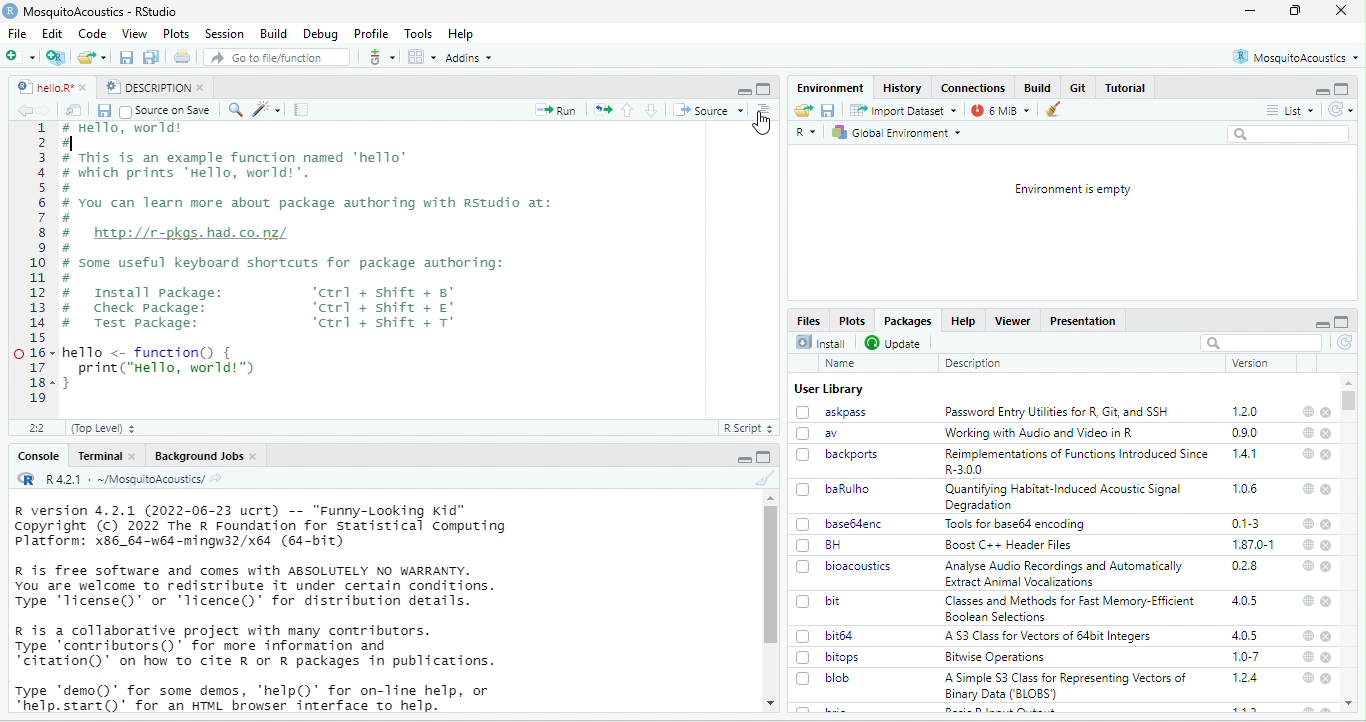 This screenshot has height=722, width=1366. Describe the element at coordinates (772, 575) in the screenshot. I see `scroll bar` at that location.